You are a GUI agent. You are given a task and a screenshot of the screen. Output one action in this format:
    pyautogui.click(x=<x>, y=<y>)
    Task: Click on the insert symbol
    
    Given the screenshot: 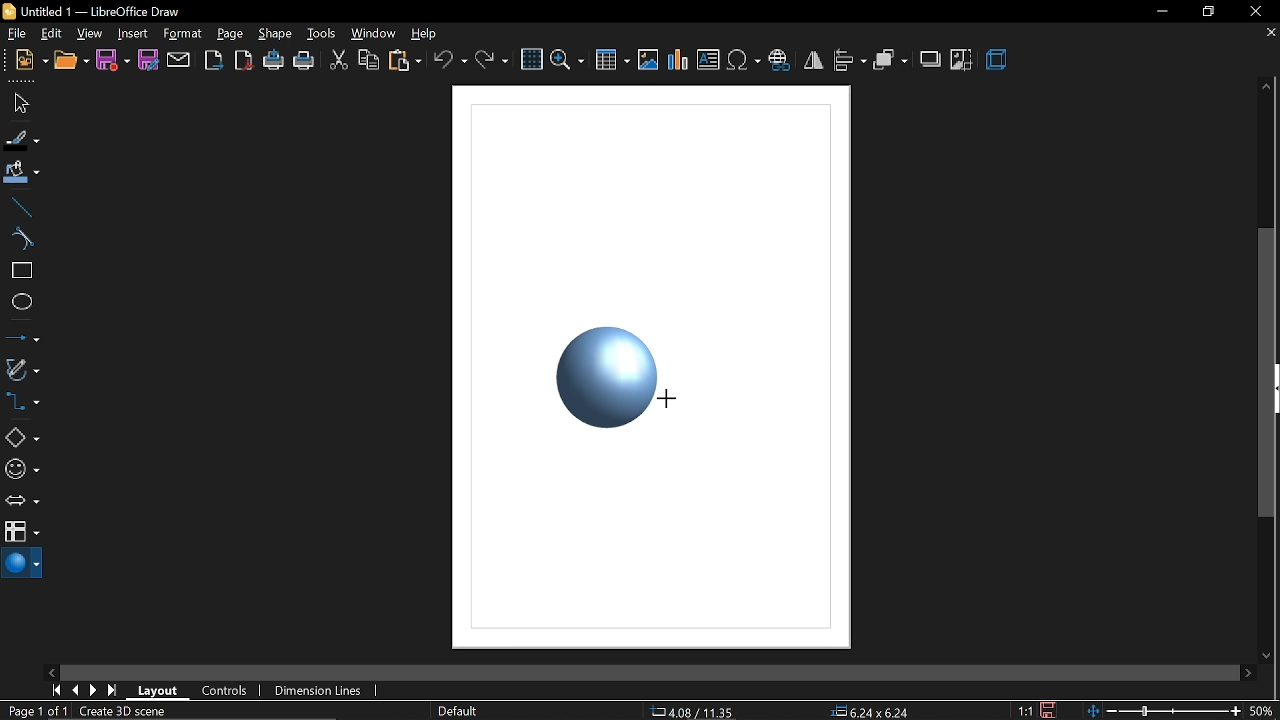 What is the action you would take?
    pyautogui.click(x=743, y=60)
    